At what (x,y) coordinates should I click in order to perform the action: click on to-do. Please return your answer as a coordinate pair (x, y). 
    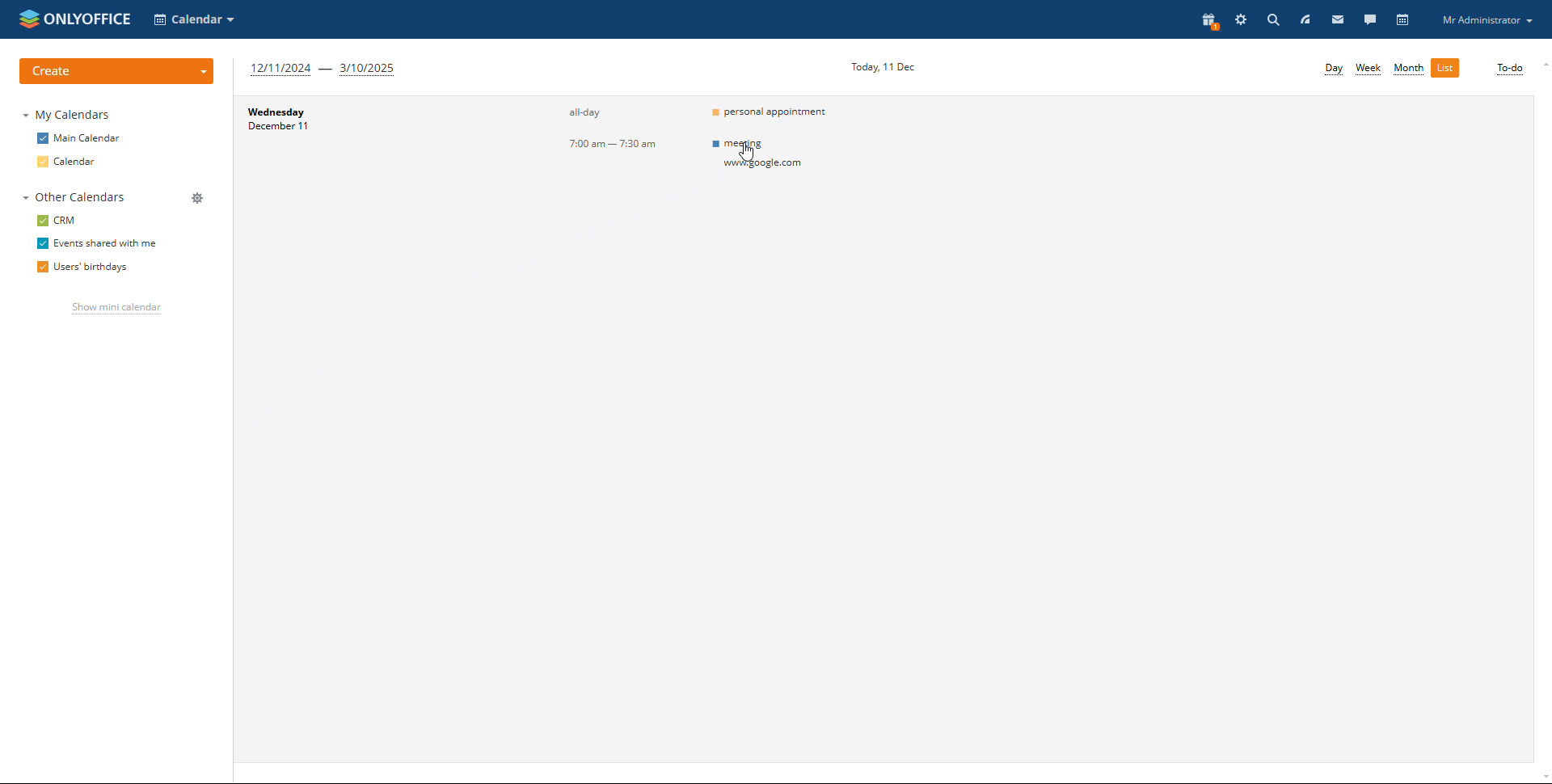
    Looking at the image, I should click on (1510, 70).